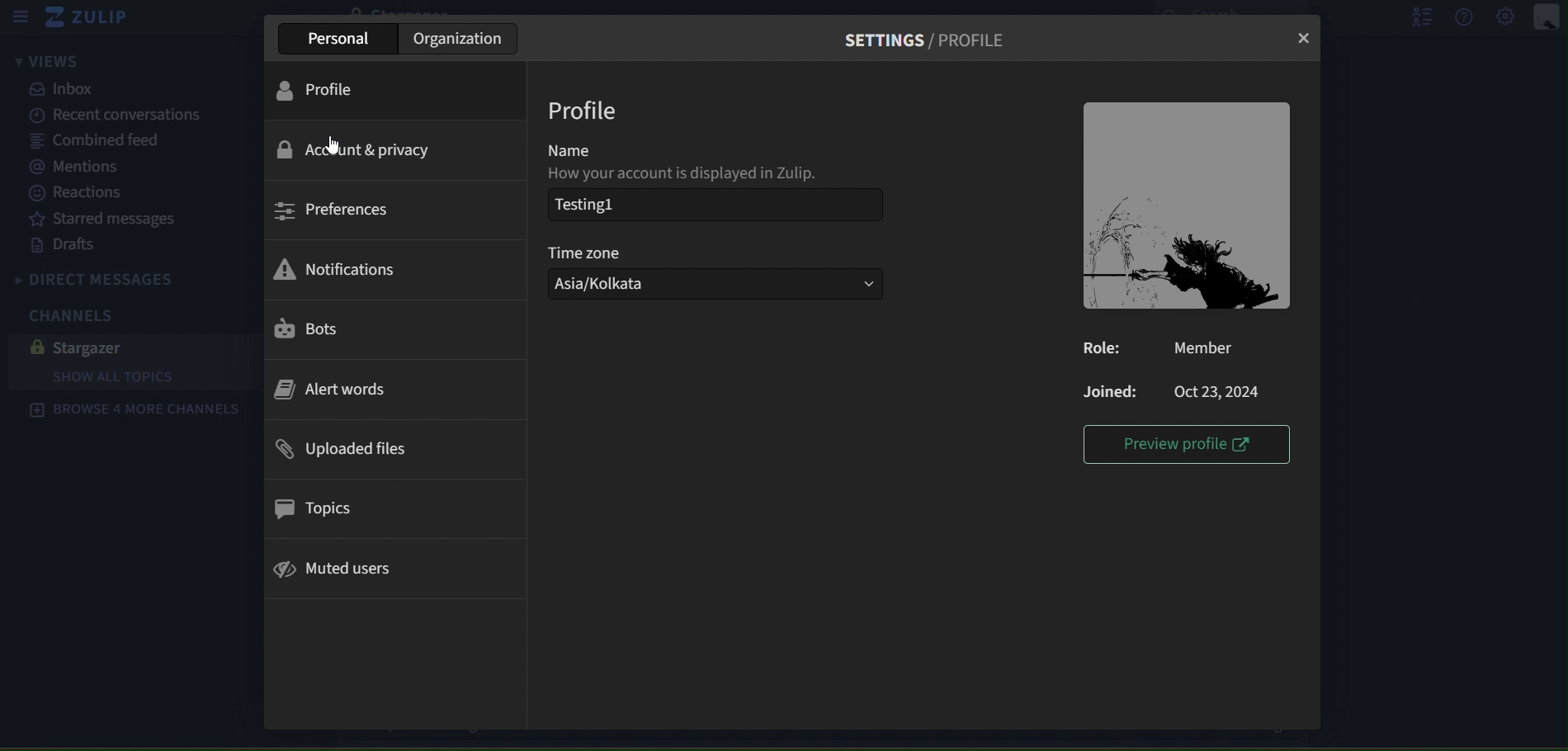 Image resolution: width=1568 pixels, height=751 pixels. Describe the element at coordinates (574, 148) in the screenshot. I see `Name` at that location.